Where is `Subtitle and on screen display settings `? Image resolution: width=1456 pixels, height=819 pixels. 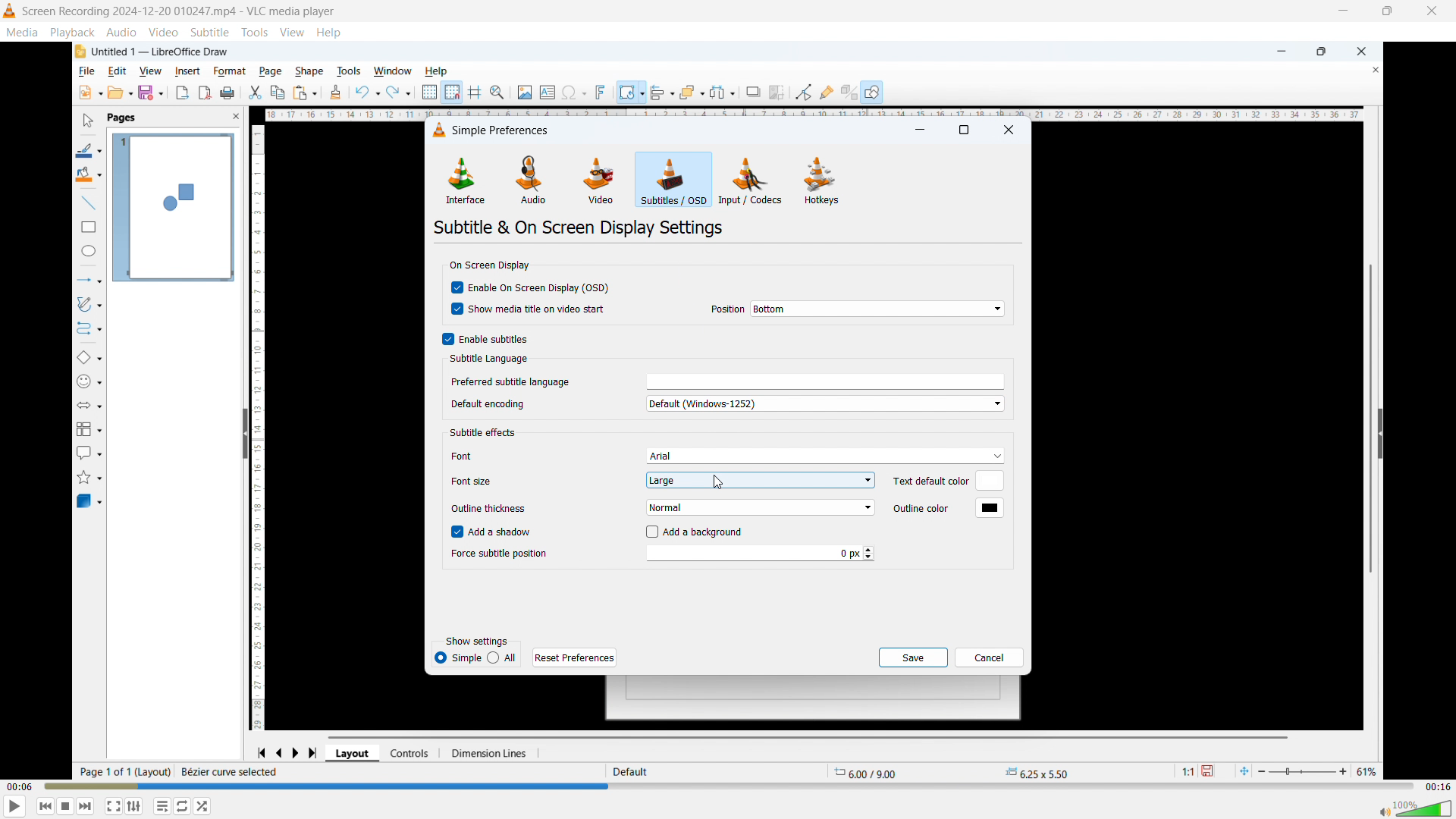 Subtitle and on screen display settings  is located at coordinates (579, 228).